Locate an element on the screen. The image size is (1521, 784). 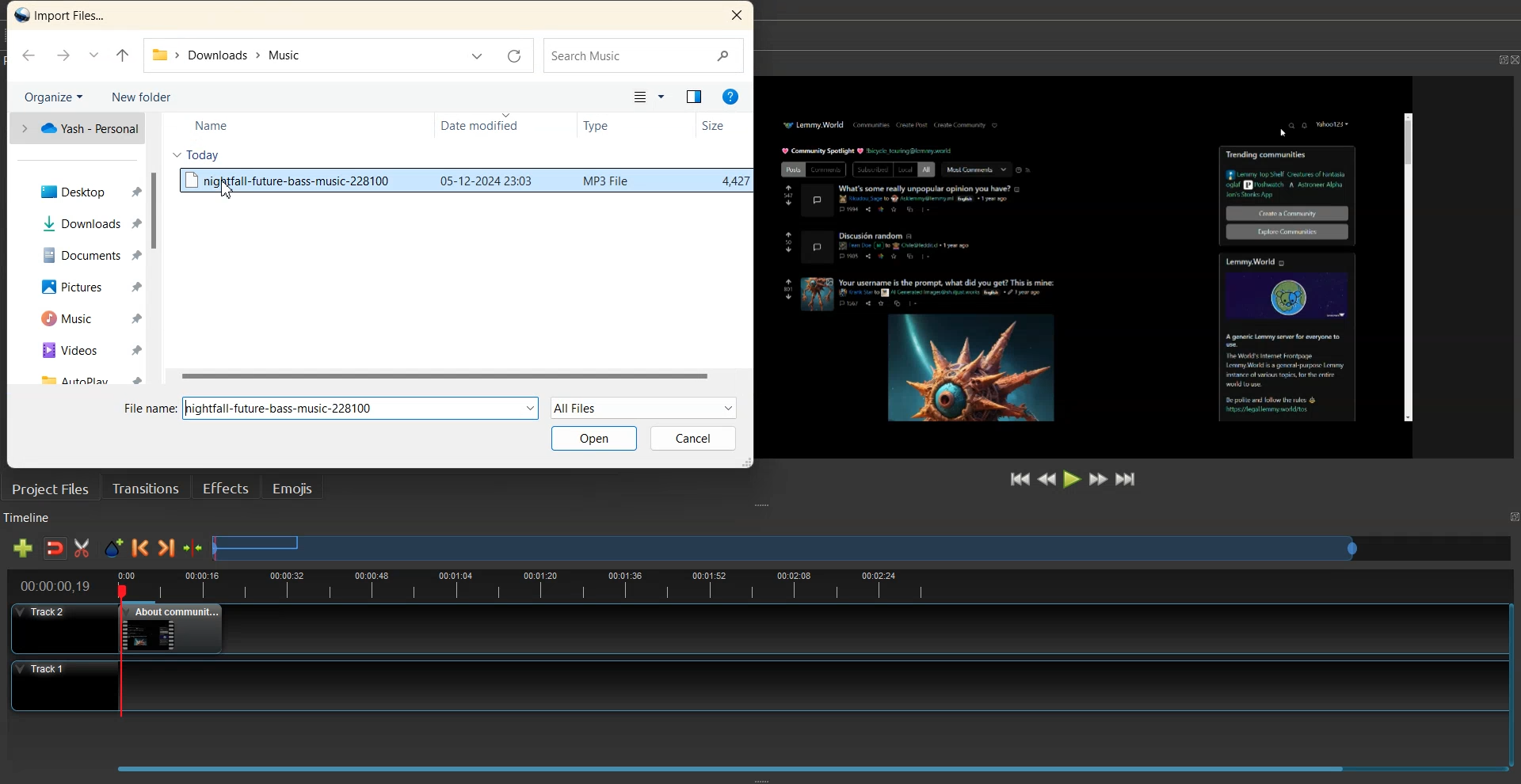
Vertical Scrollbar is located at coordinates (156, 249).